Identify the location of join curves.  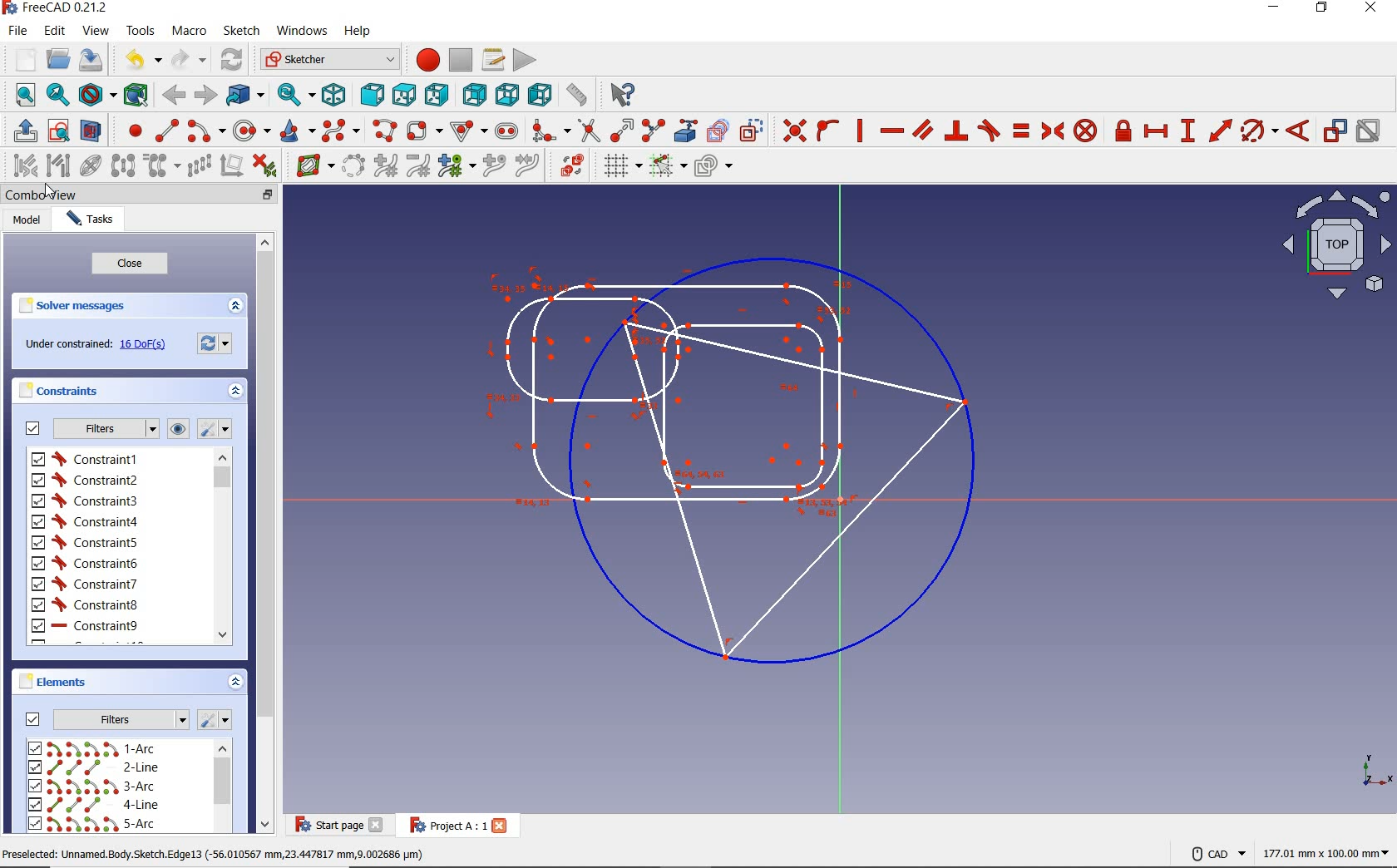
(526, 165).